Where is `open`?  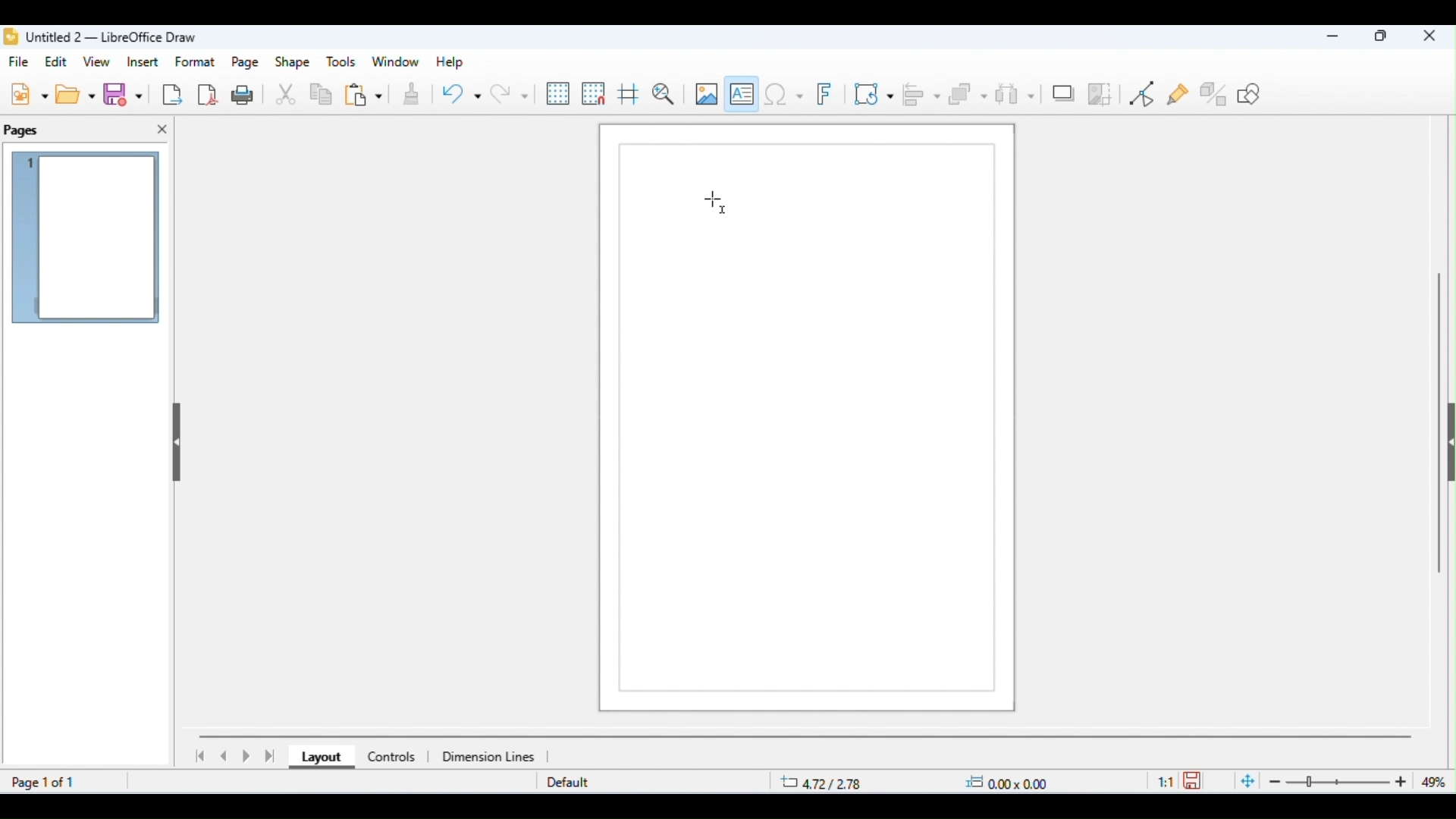
open is located at coordinates (77, 94).